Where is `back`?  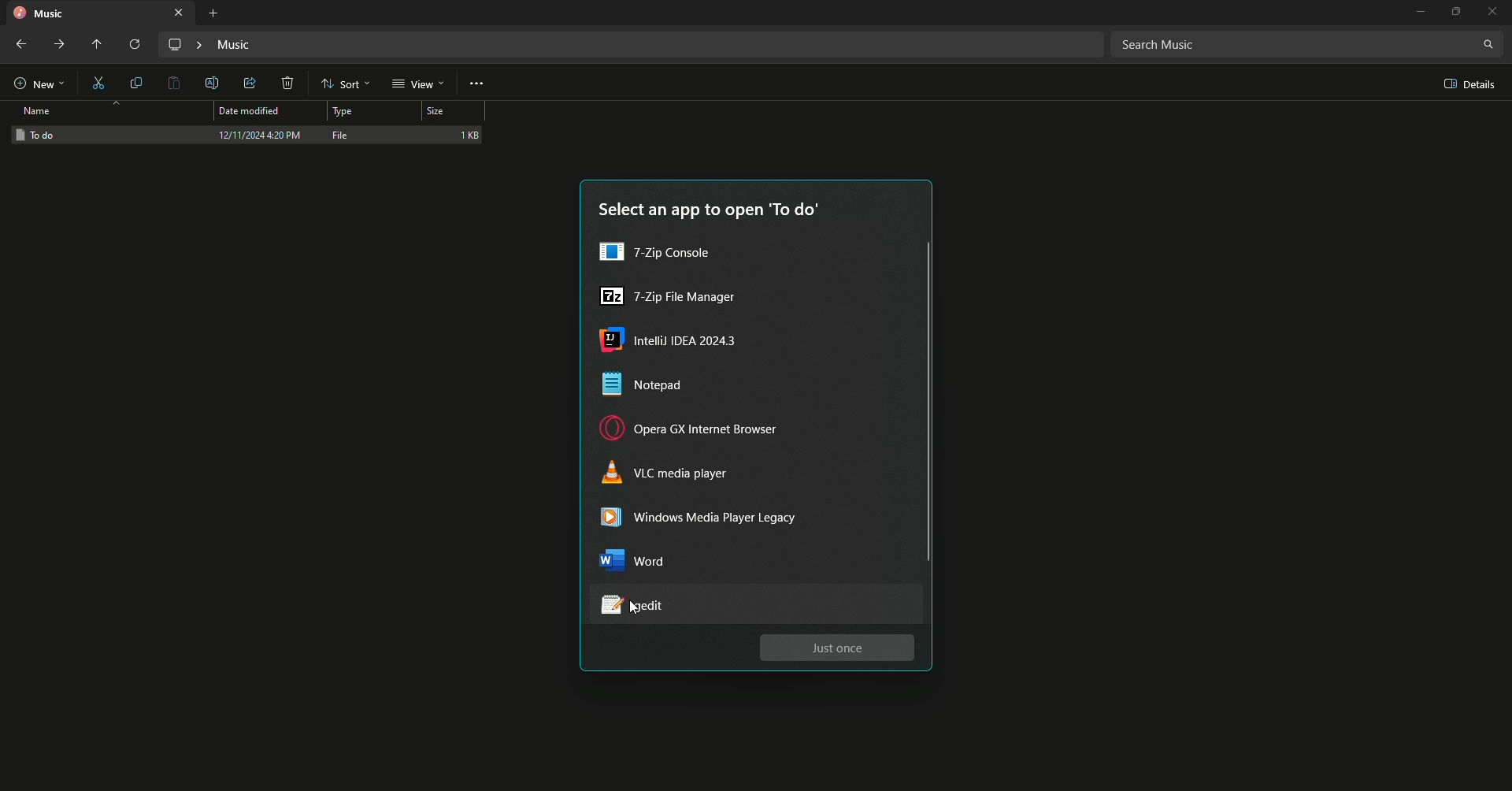 back is located at coordinates (21, 46).